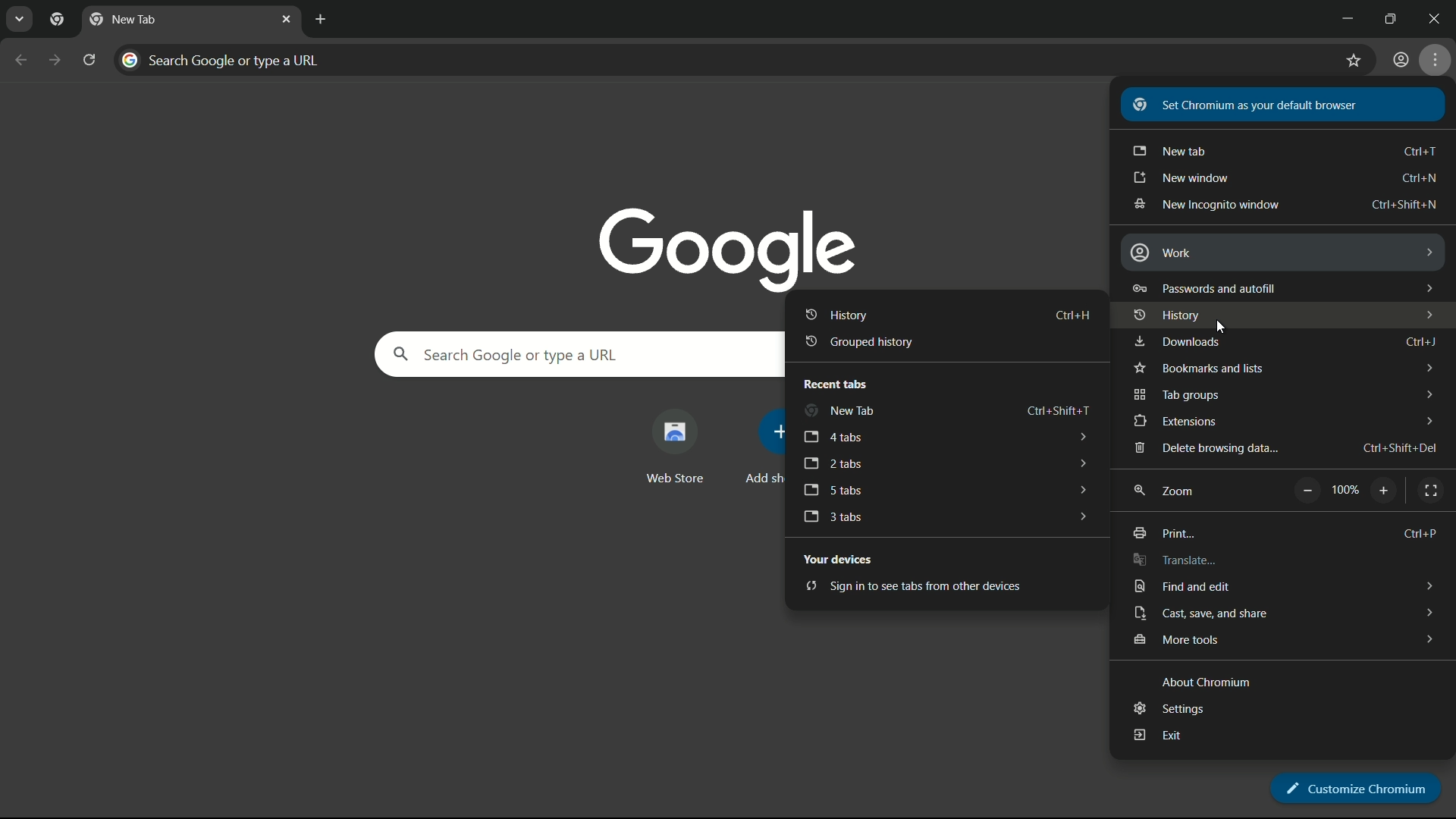 The image size is (1456, 819). Describe the element at coordinates (1204, 684) in the screenshot. I see `about chromium` at that location.